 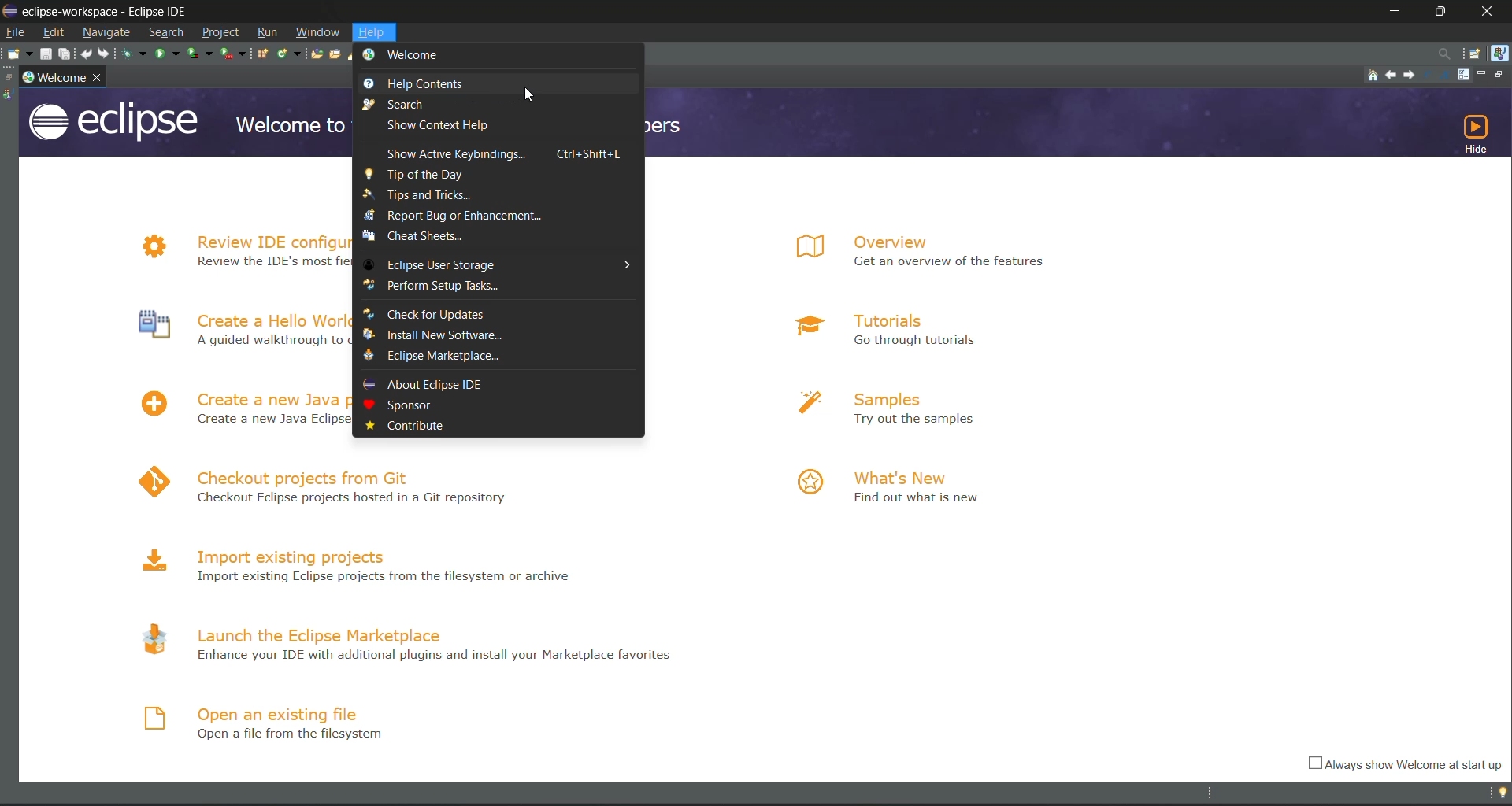 What do you see at coordinates (954, 264) in the screenshot?
I see `Get an overview of the features` at bounding box center [954, 264].